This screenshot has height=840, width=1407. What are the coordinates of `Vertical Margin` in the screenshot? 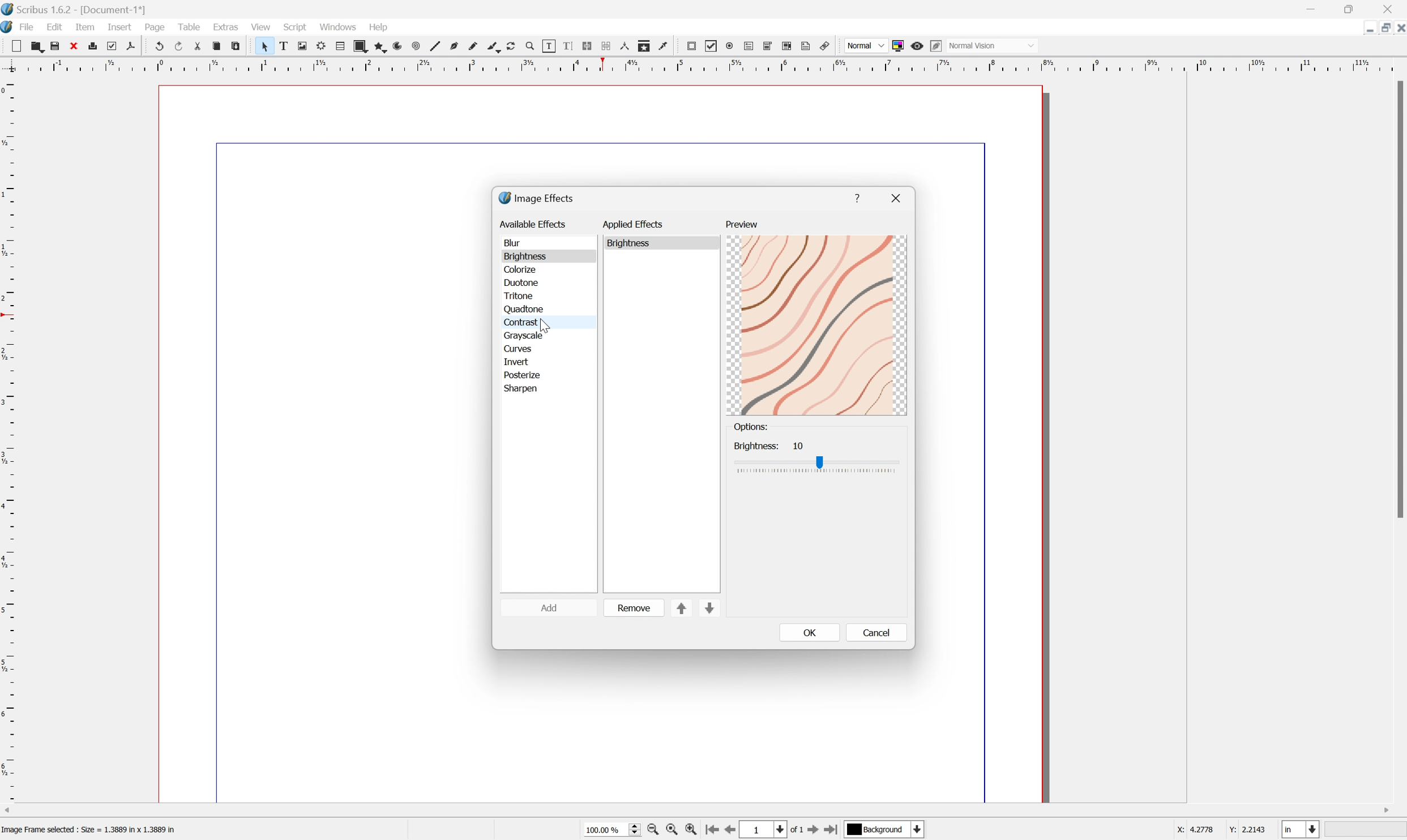 It's located at (9, 442).